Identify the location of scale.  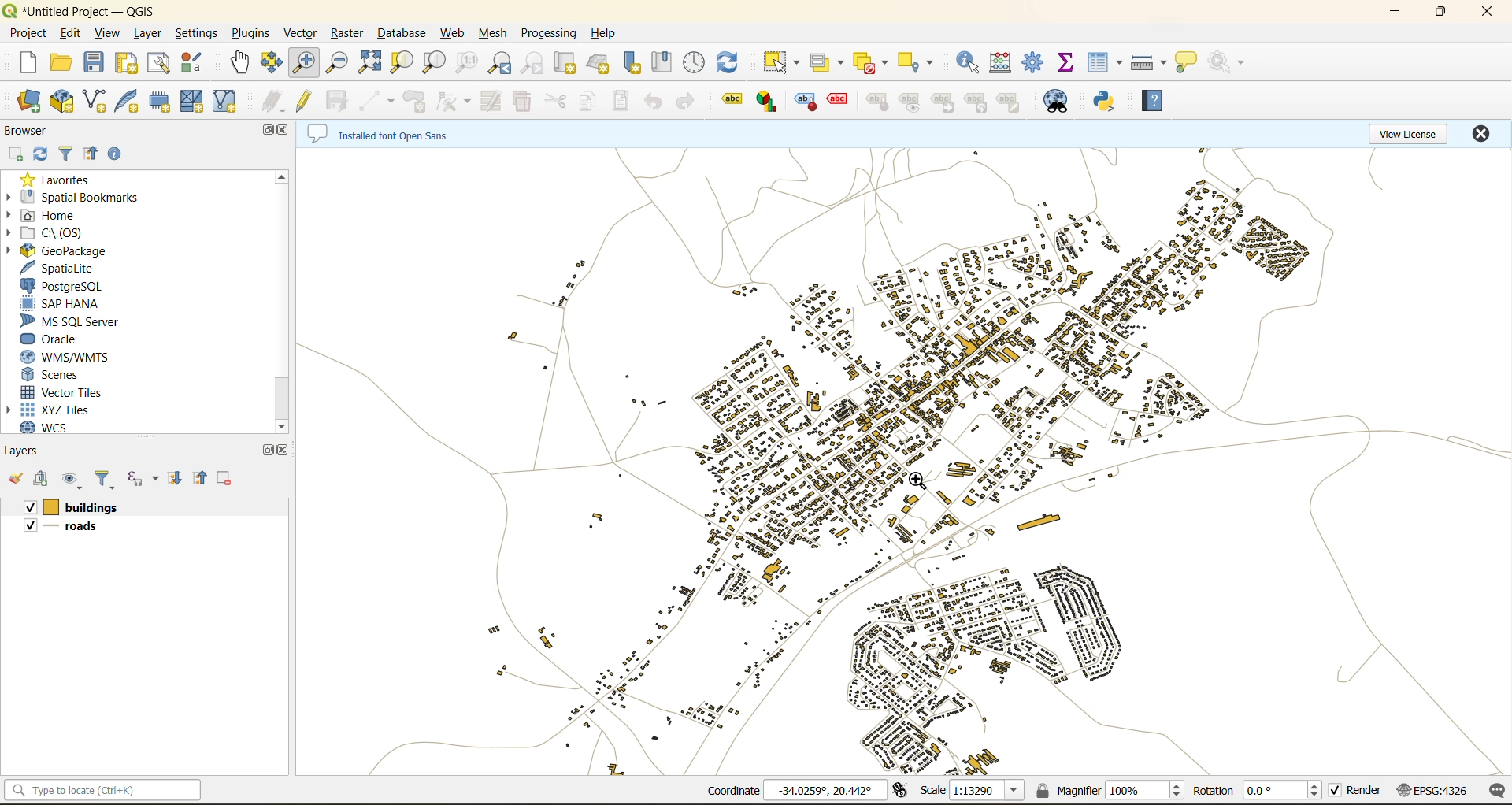
(969, 789).